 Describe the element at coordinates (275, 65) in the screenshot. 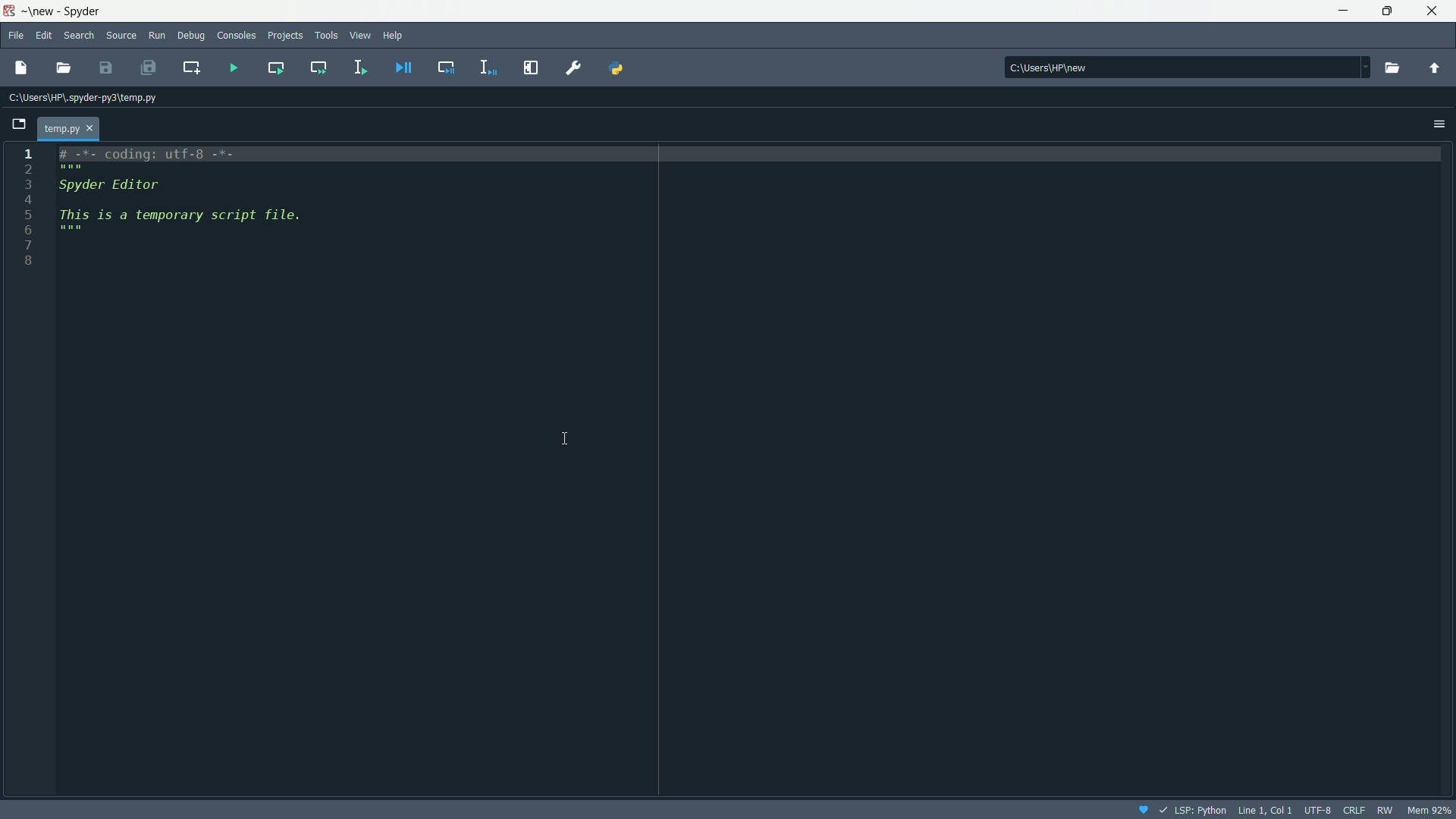

I see `Run current cell (Ctrl + Return)` at that location.